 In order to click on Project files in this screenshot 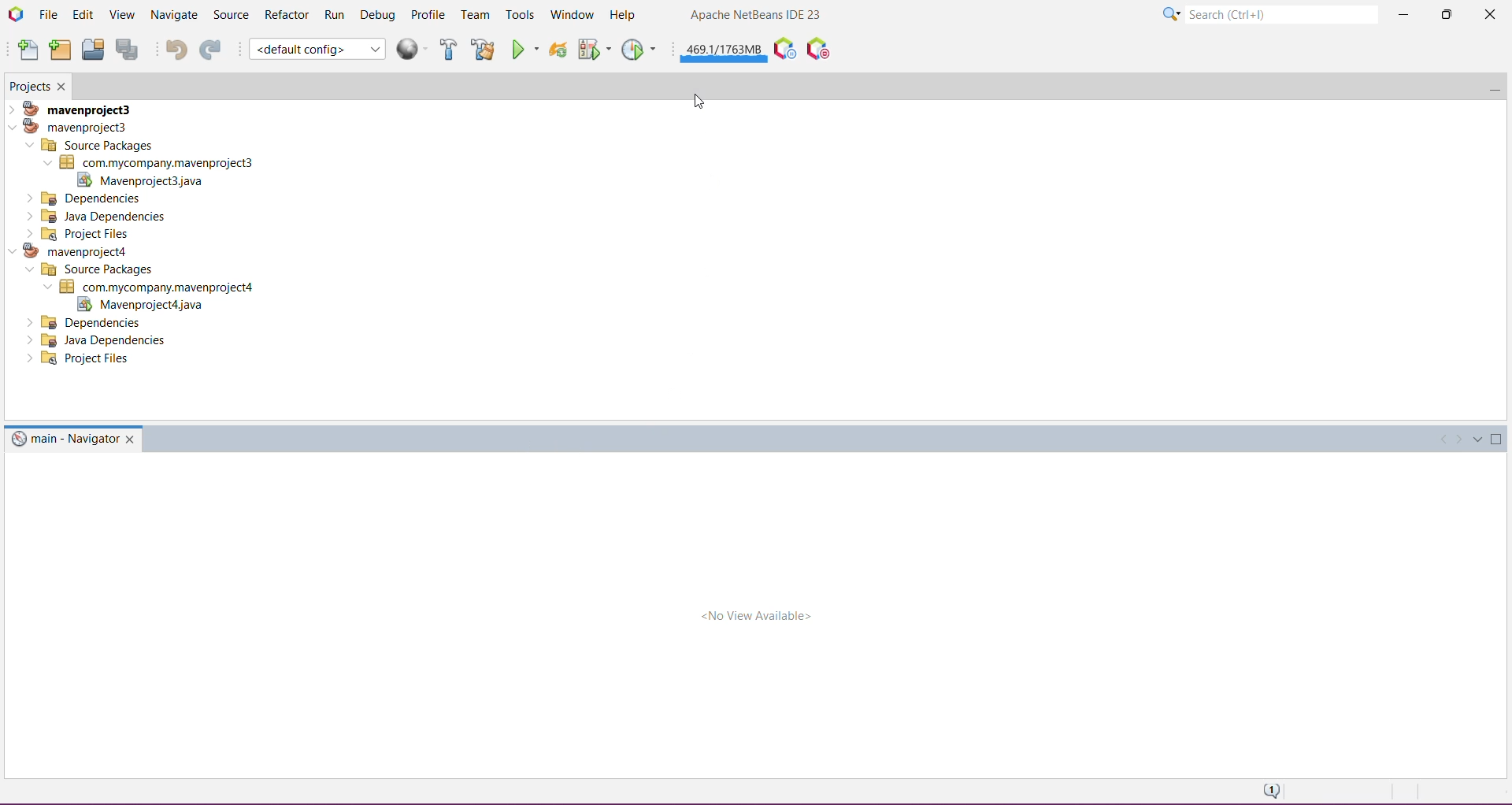, I will do `click(79, 233)`.